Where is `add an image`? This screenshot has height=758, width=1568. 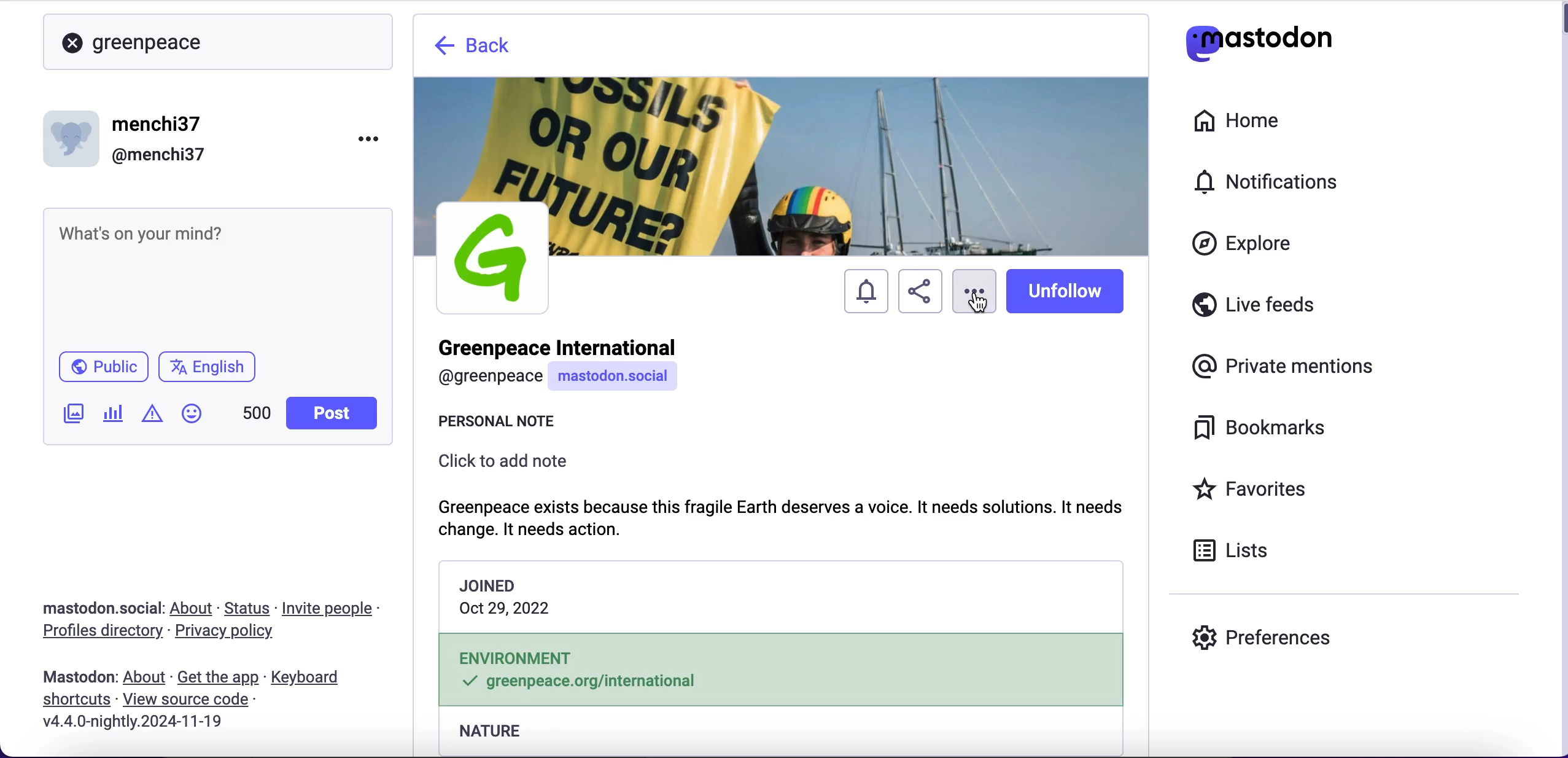
add an image is located at coordinates (72, 413).